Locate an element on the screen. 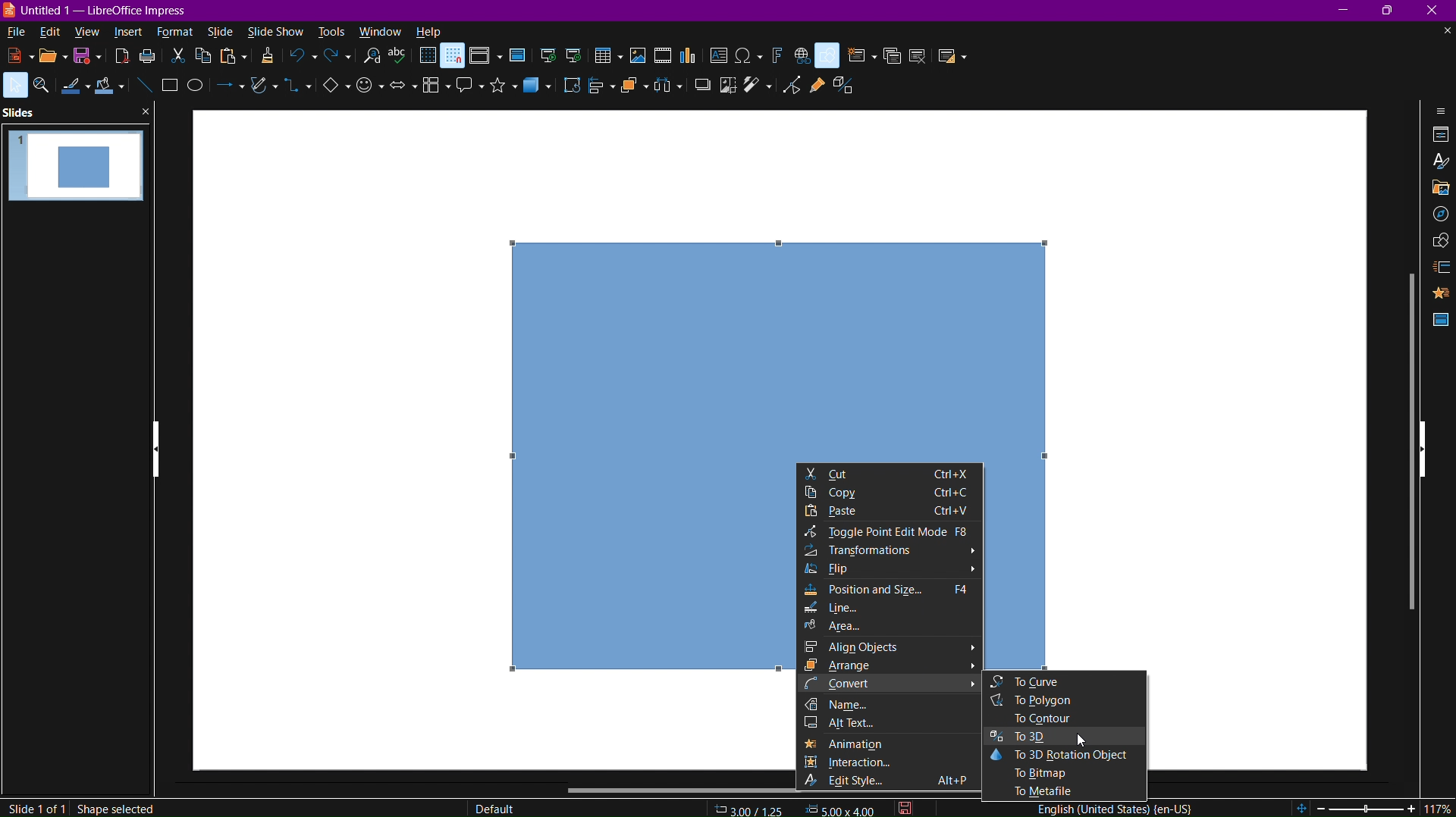 This screenshot has height=817, width=1456. Lines and Arrows is located at coordinates (229, 92).